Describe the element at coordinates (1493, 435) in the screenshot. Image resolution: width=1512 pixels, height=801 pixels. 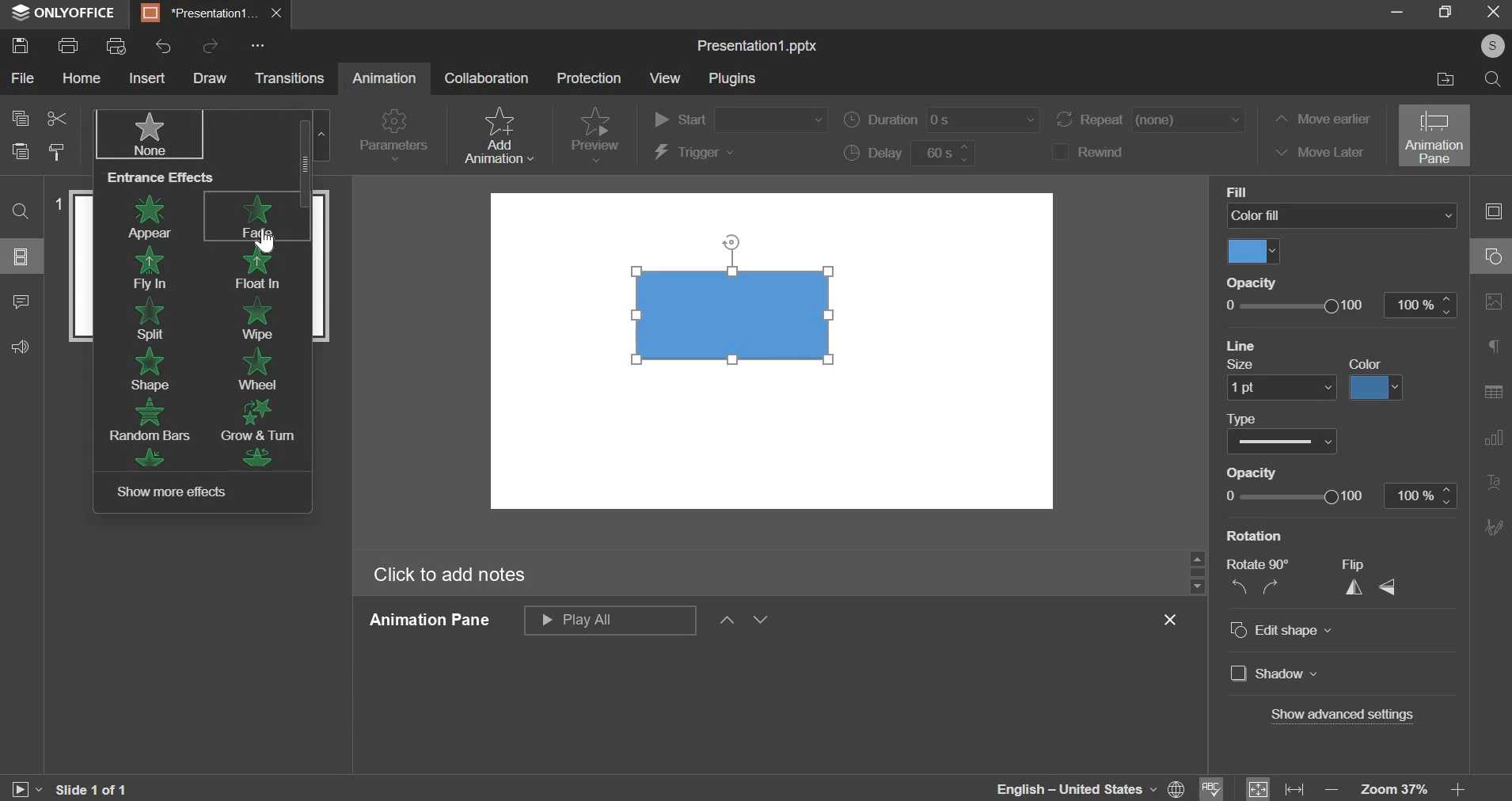
I see `Slide Transition` at that location.